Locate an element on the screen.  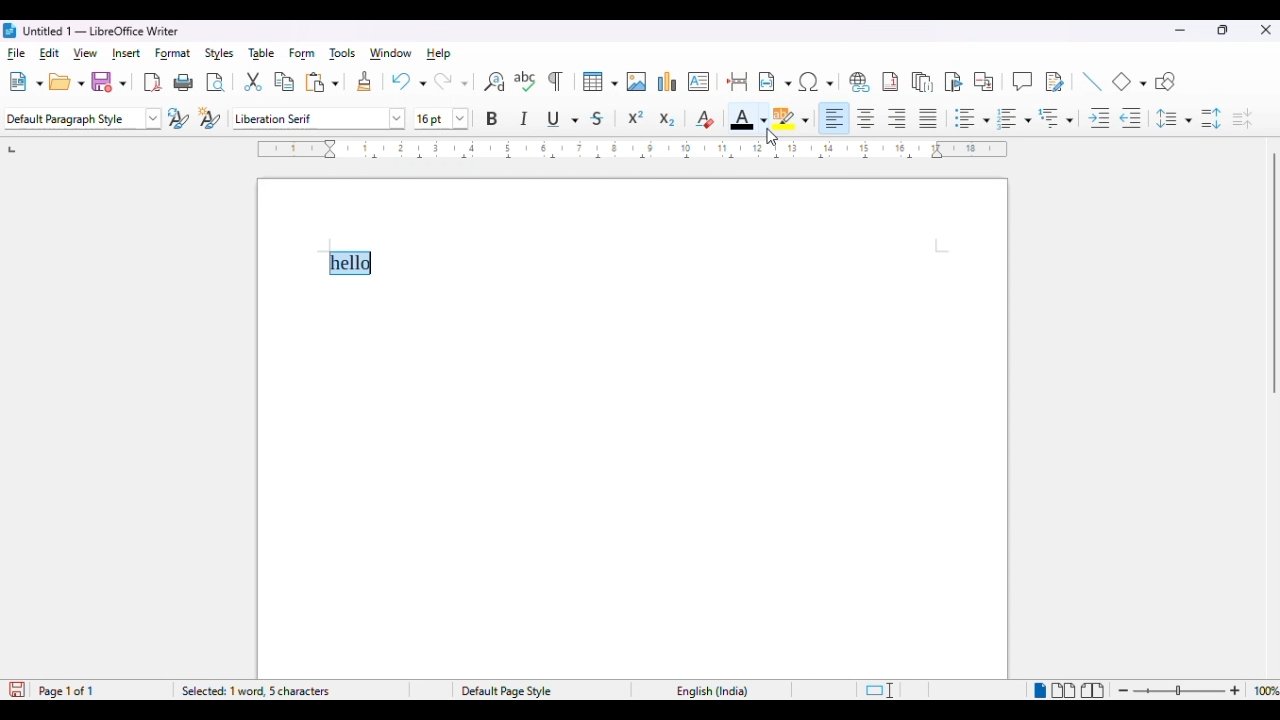
tools is located at coordinates (343, 55).